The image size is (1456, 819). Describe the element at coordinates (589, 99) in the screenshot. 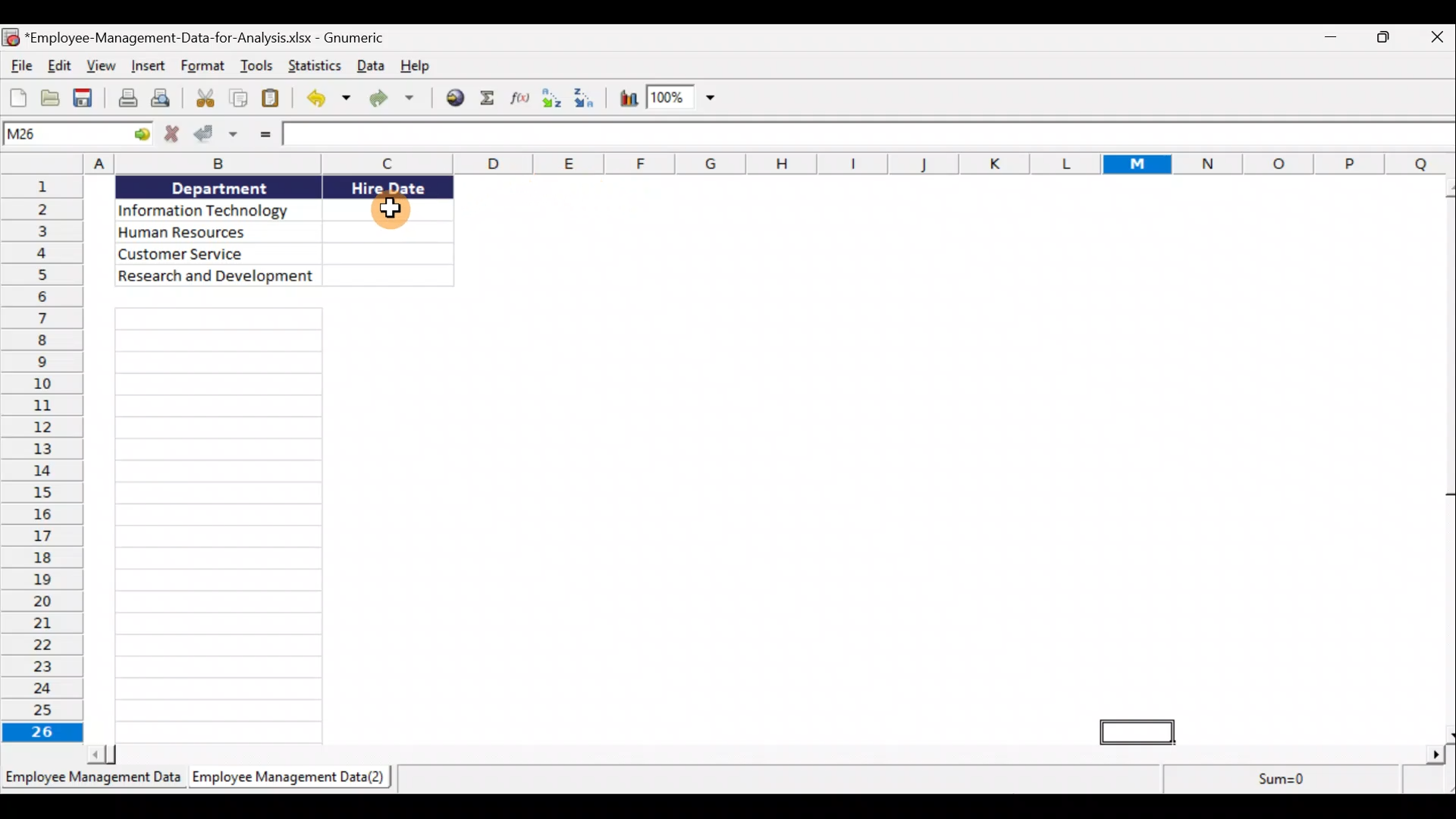

I see `Sort Descending` at that location.